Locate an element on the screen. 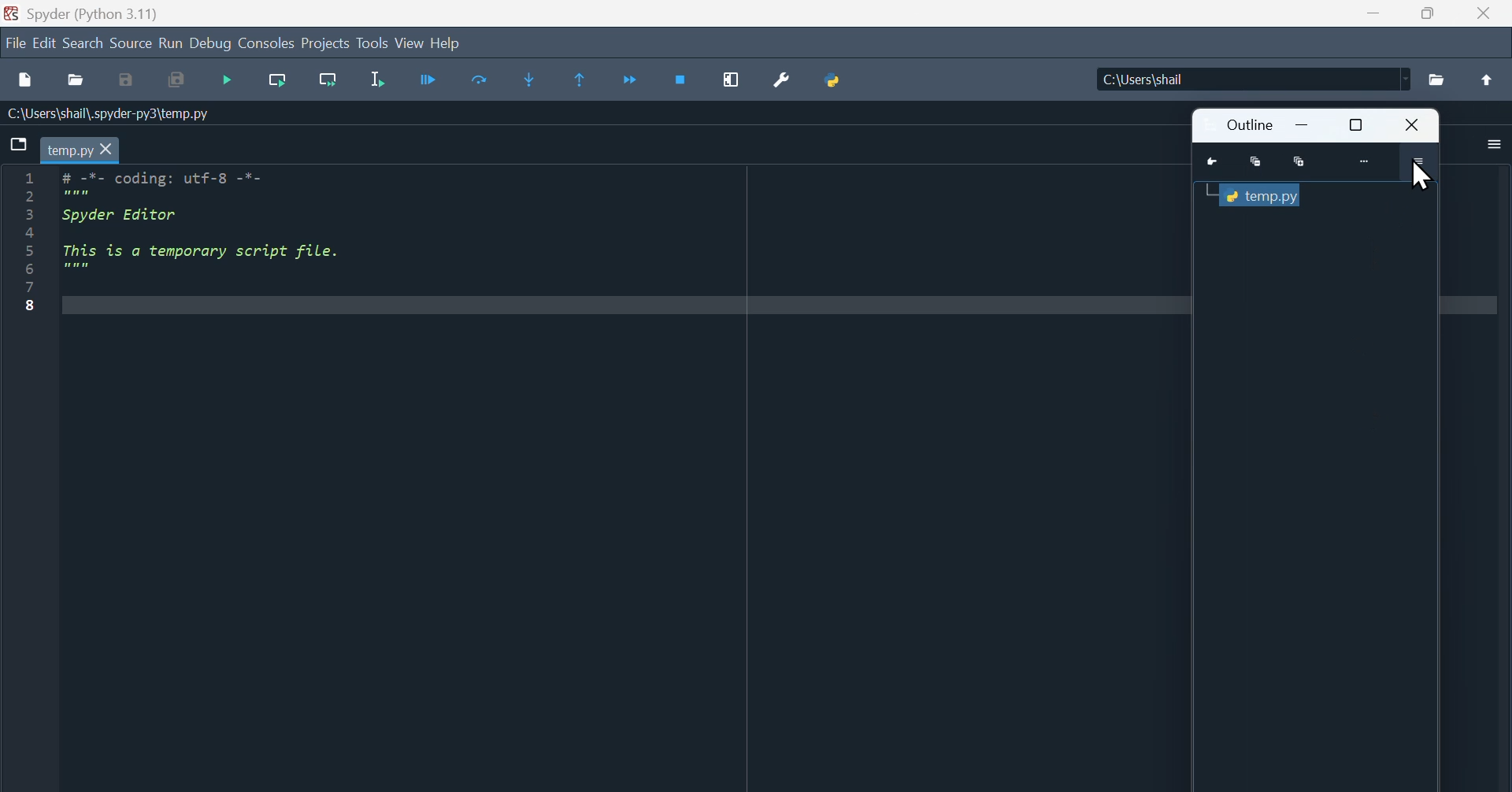 This screenshot has width=1512, height=792. Run cell till next function is located at coordinates (328, 80).